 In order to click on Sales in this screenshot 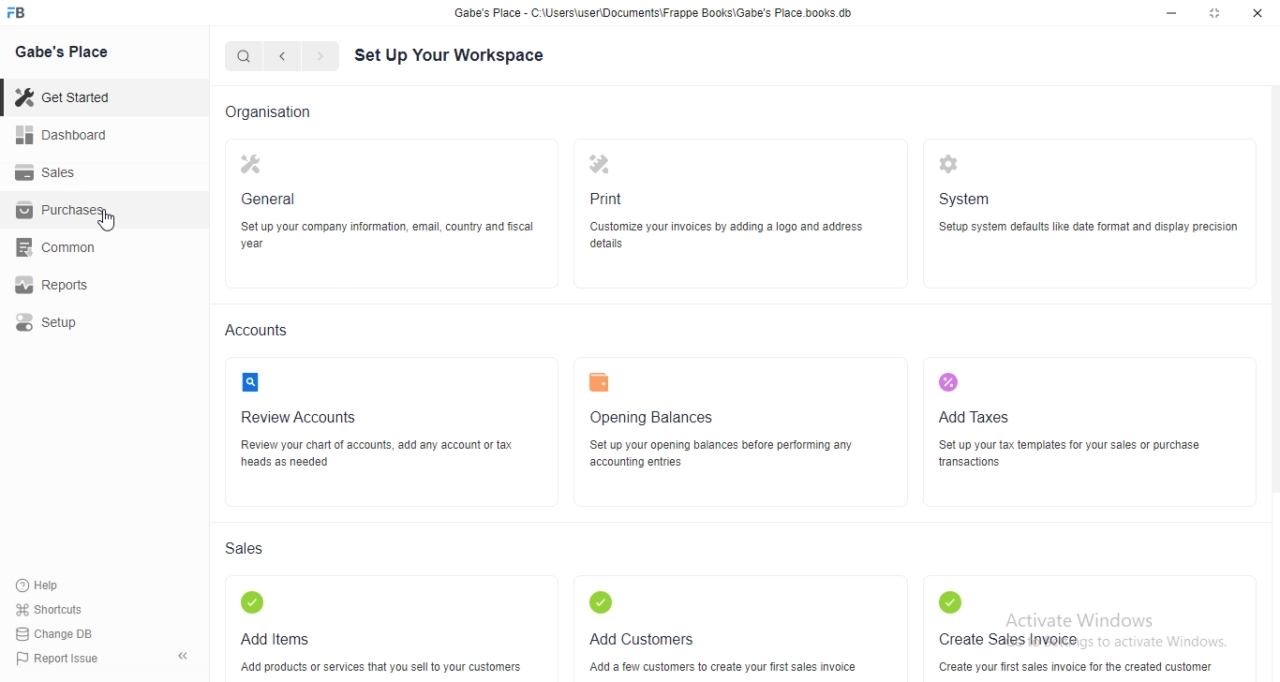, I will do `click(245, 548)`.